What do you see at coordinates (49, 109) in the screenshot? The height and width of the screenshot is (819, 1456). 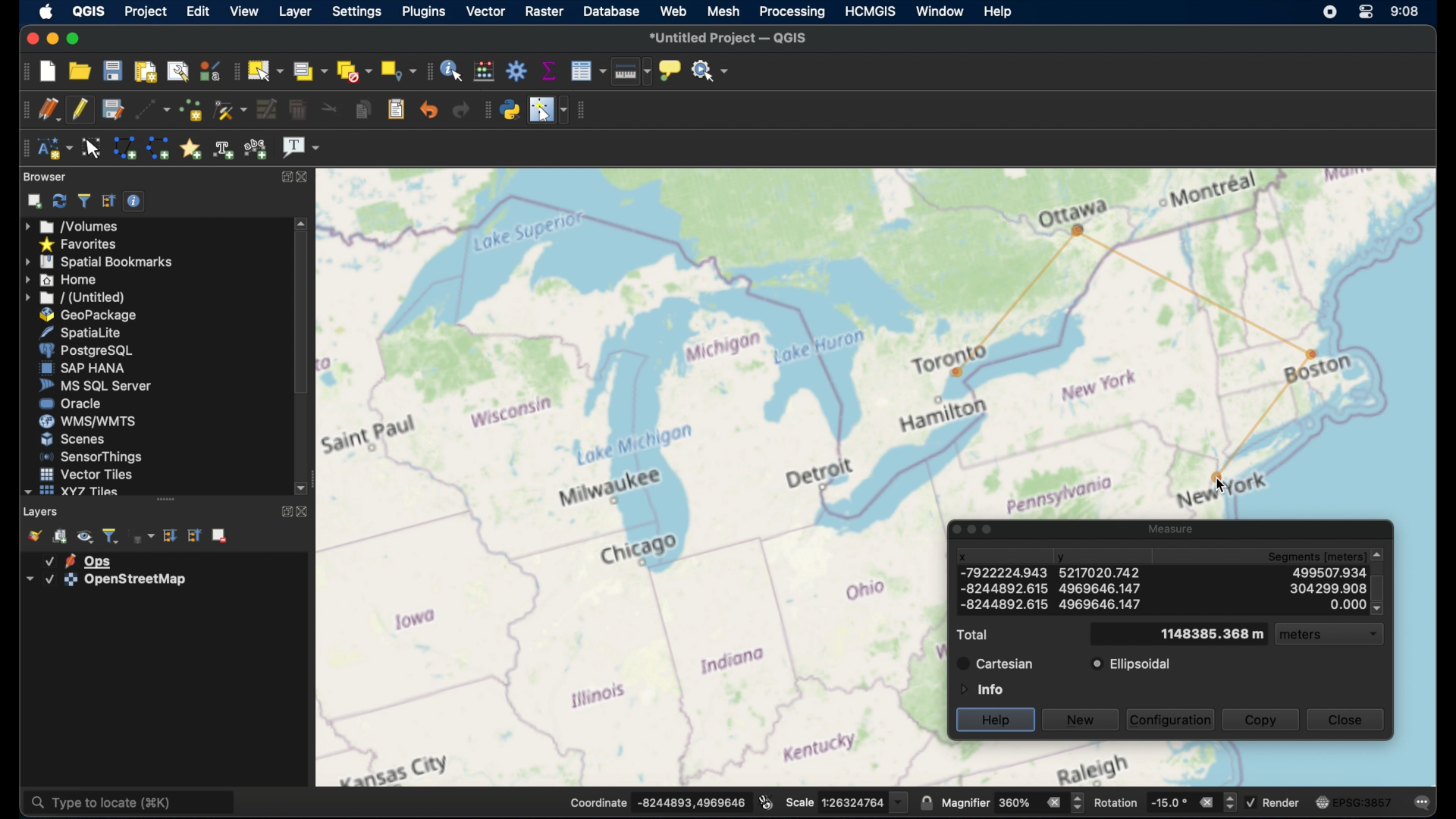 I see `current edits` at bounding box center [49, 109].